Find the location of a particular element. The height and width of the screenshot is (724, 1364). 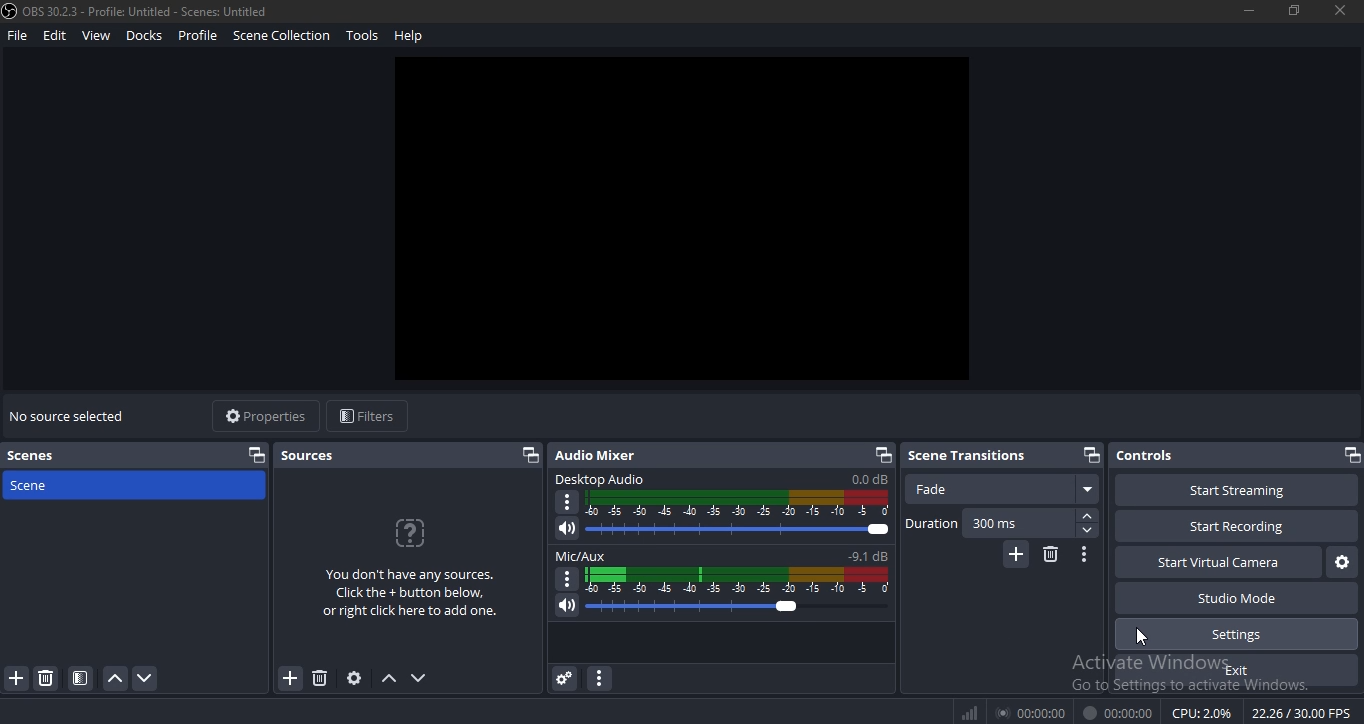

file is located at coordinates (17, 37).